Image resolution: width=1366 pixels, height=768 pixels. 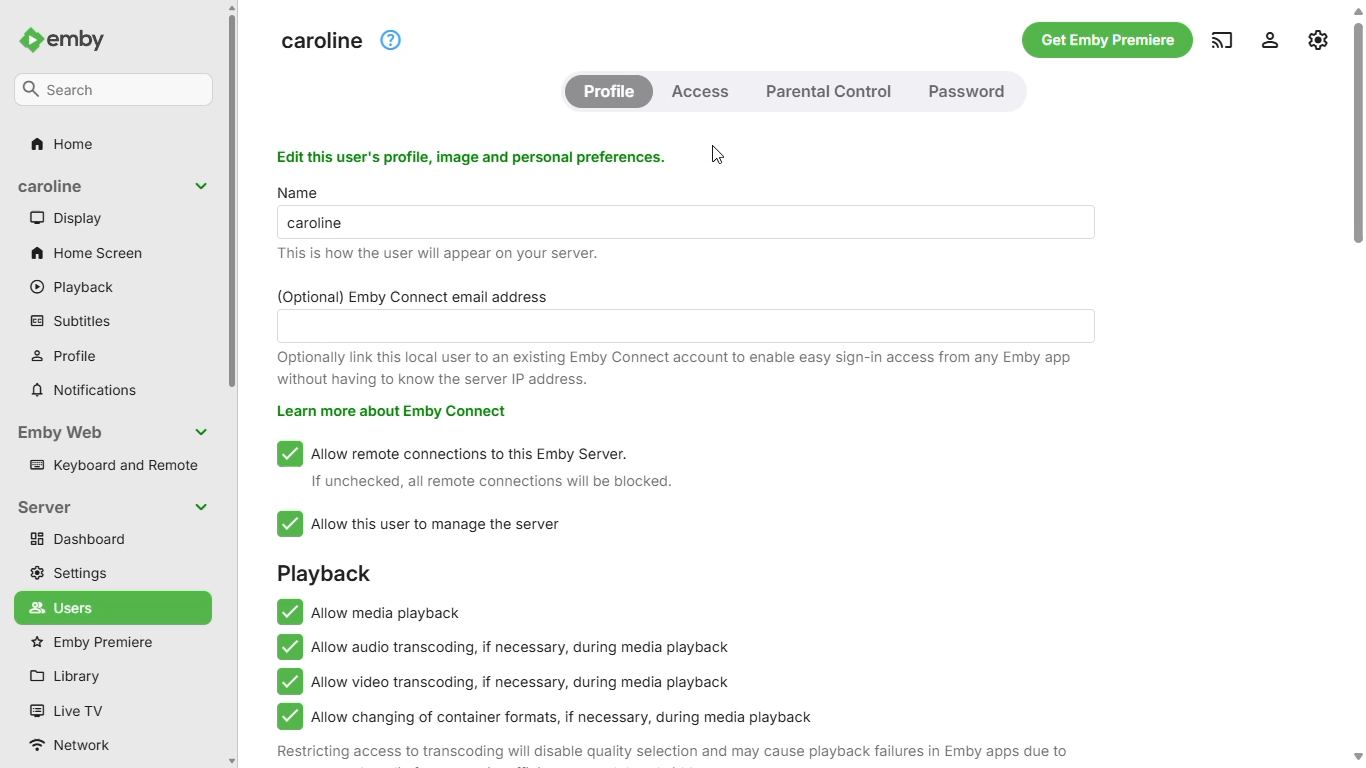 I want to click on dashboard, so click(x=112, y=539).